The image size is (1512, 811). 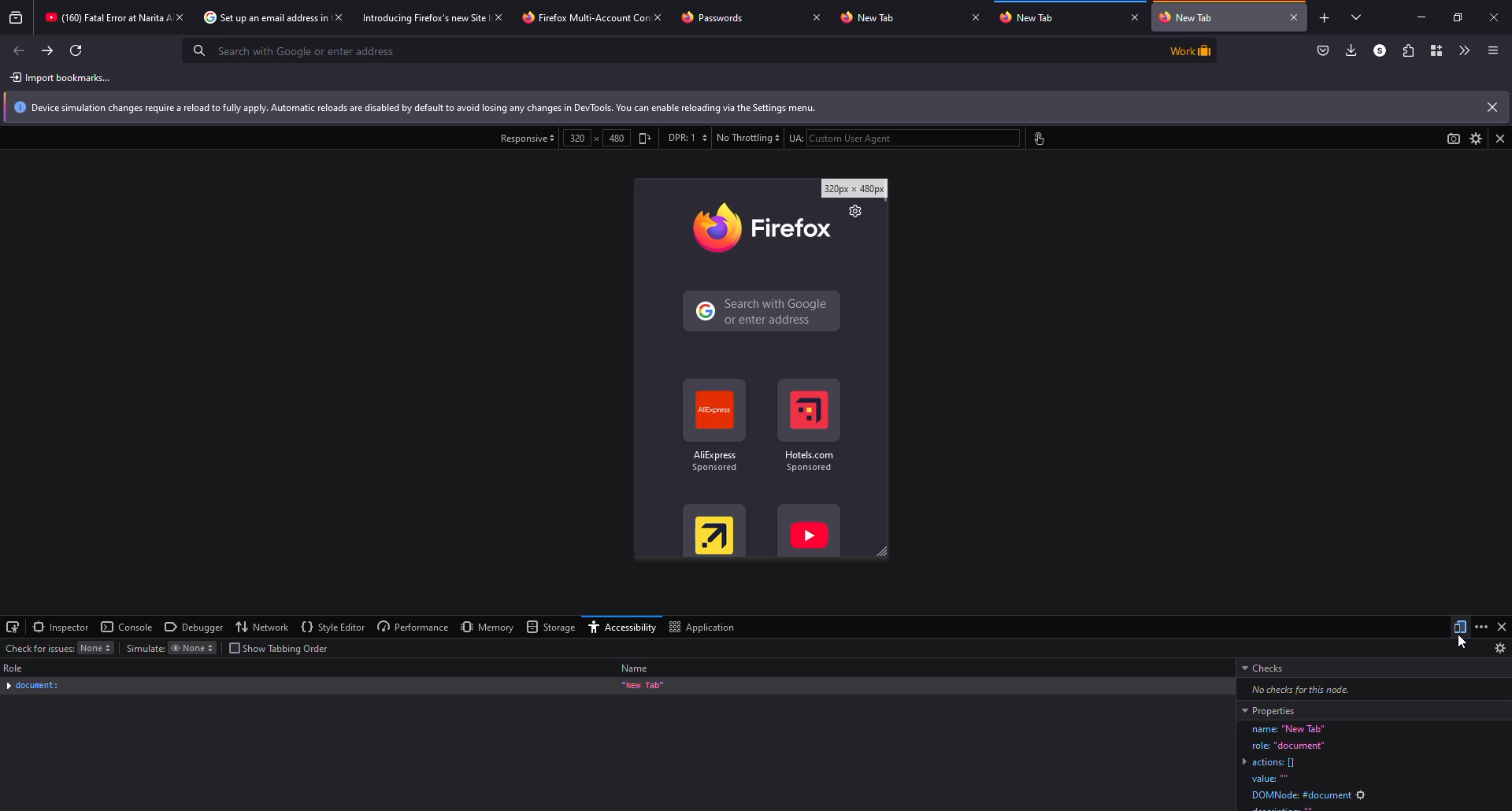 I want to click on more, so click(x=1480, y=626).